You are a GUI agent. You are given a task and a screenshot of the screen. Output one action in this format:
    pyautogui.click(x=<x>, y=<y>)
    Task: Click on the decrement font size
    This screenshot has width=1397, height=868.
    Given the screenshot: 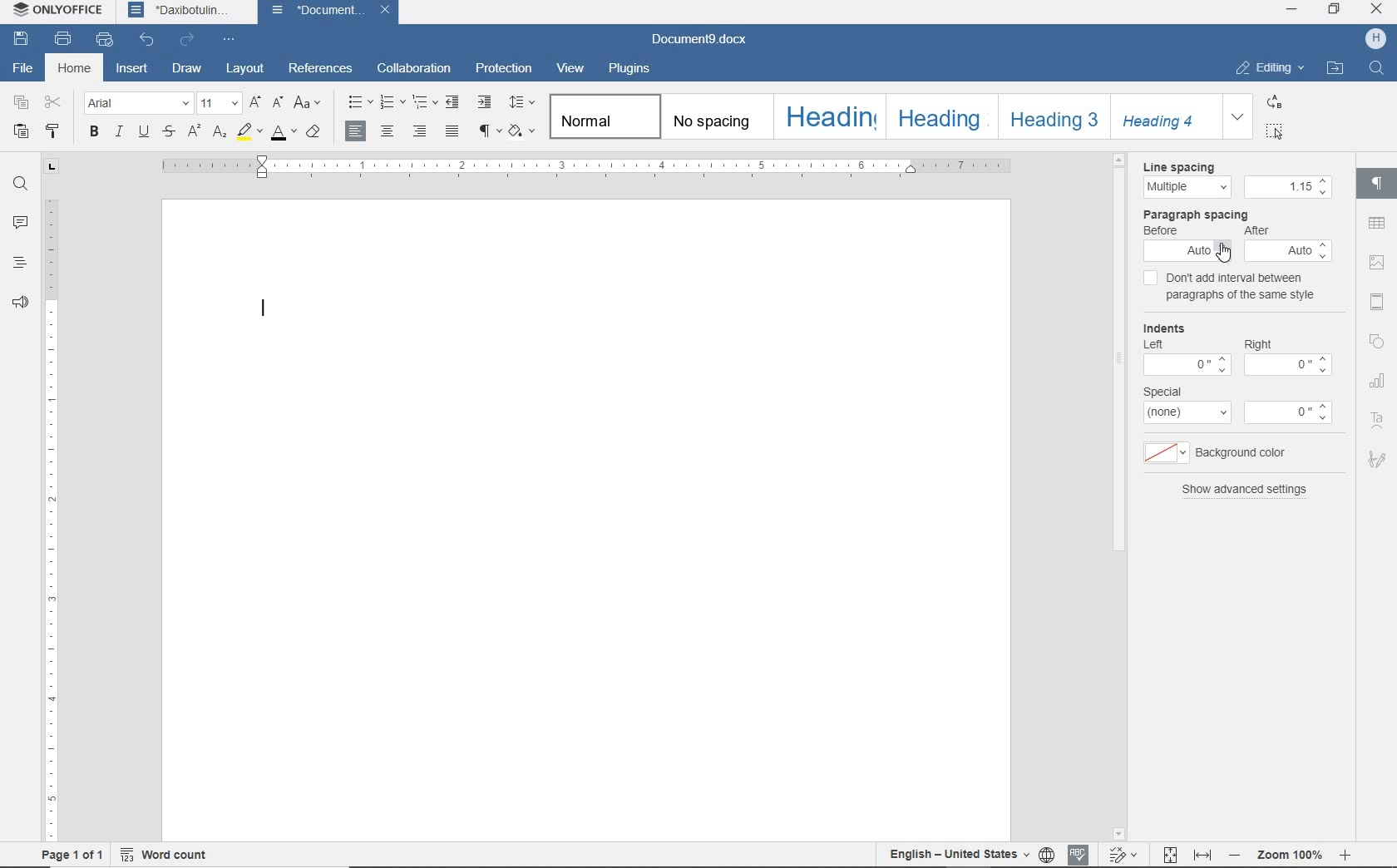 What is the action you would take?
    pyautogui.click(x=279, y=103)
    